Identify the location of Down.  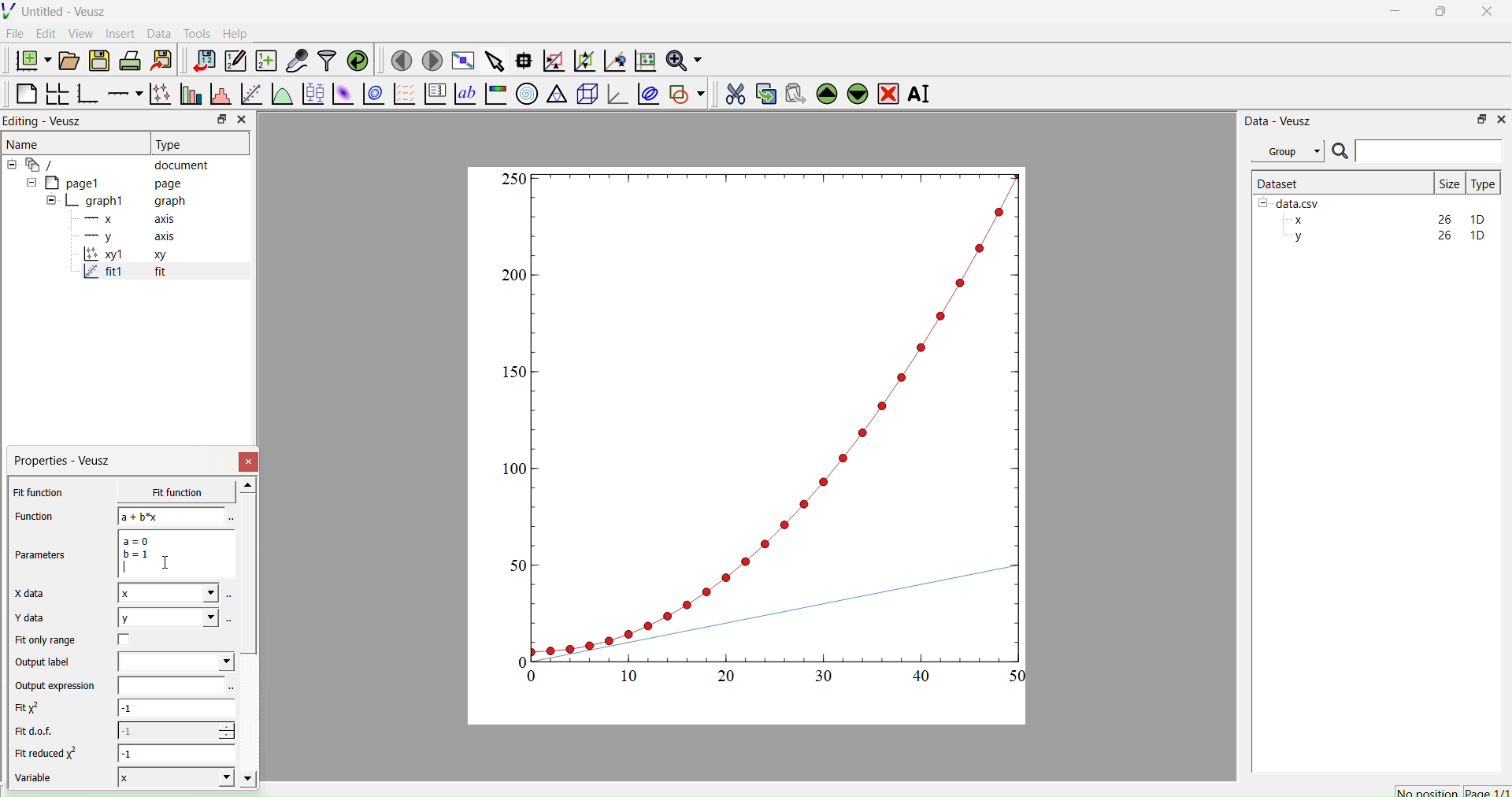
(857, 91).